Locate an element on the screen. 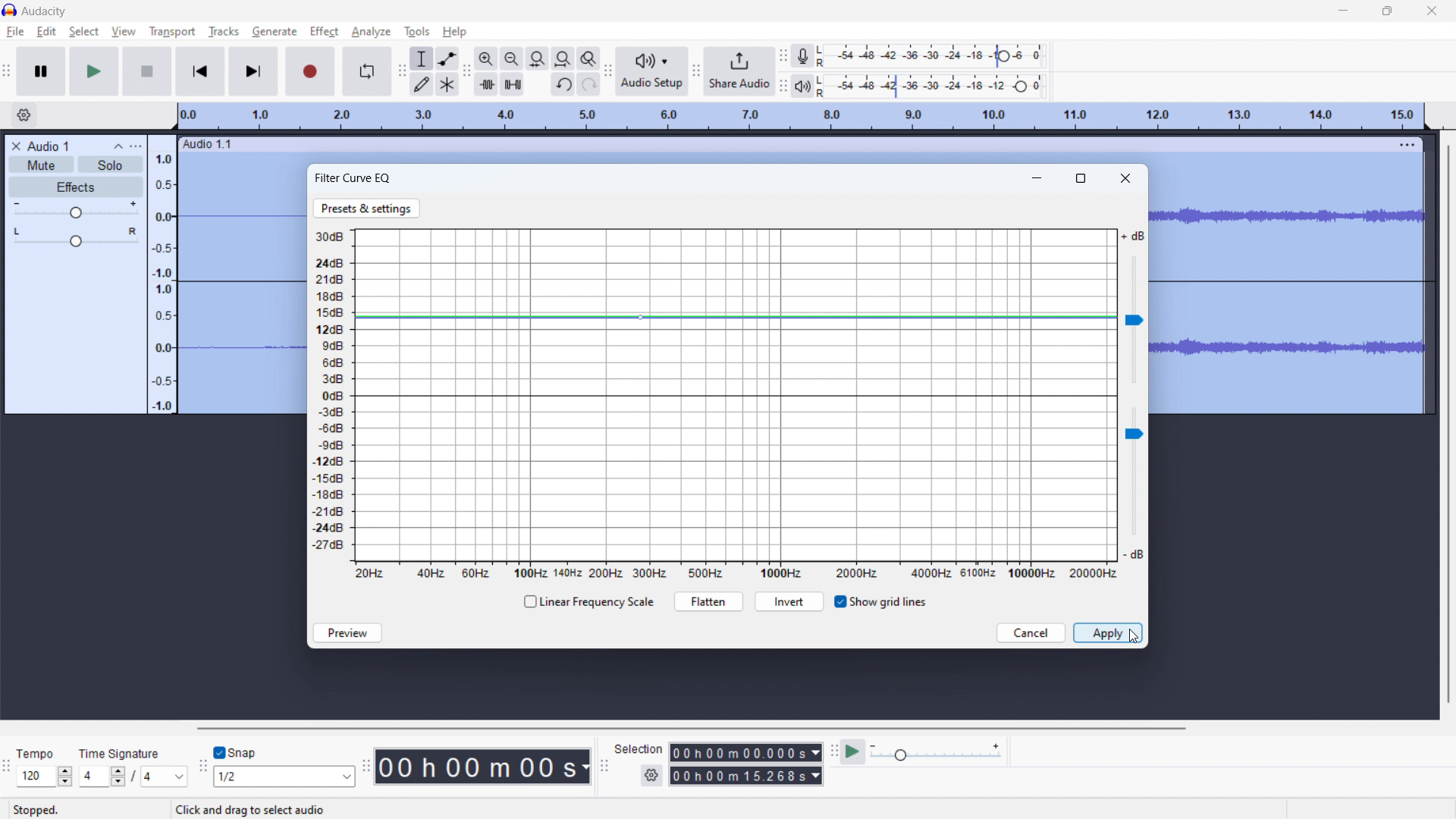 The height and width of the screenshot is (819, 1456). pan: center is located at coordinates (76, 237).